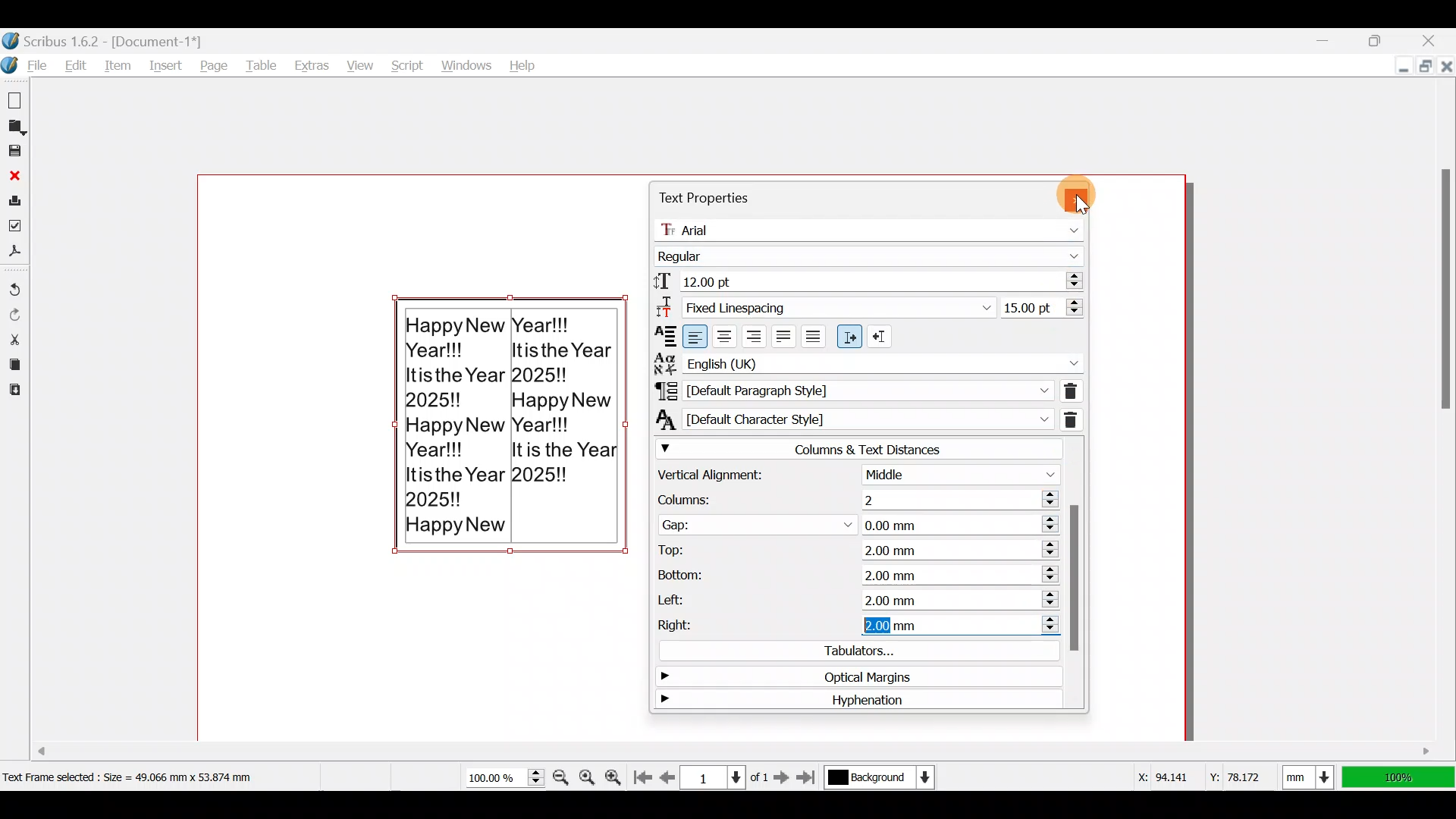 Image resolution: width=1456 pixels, height=819 pixels. Describe the element at coordinates (668, 774) in the screenshot. I see `Go to previous page` at that location.